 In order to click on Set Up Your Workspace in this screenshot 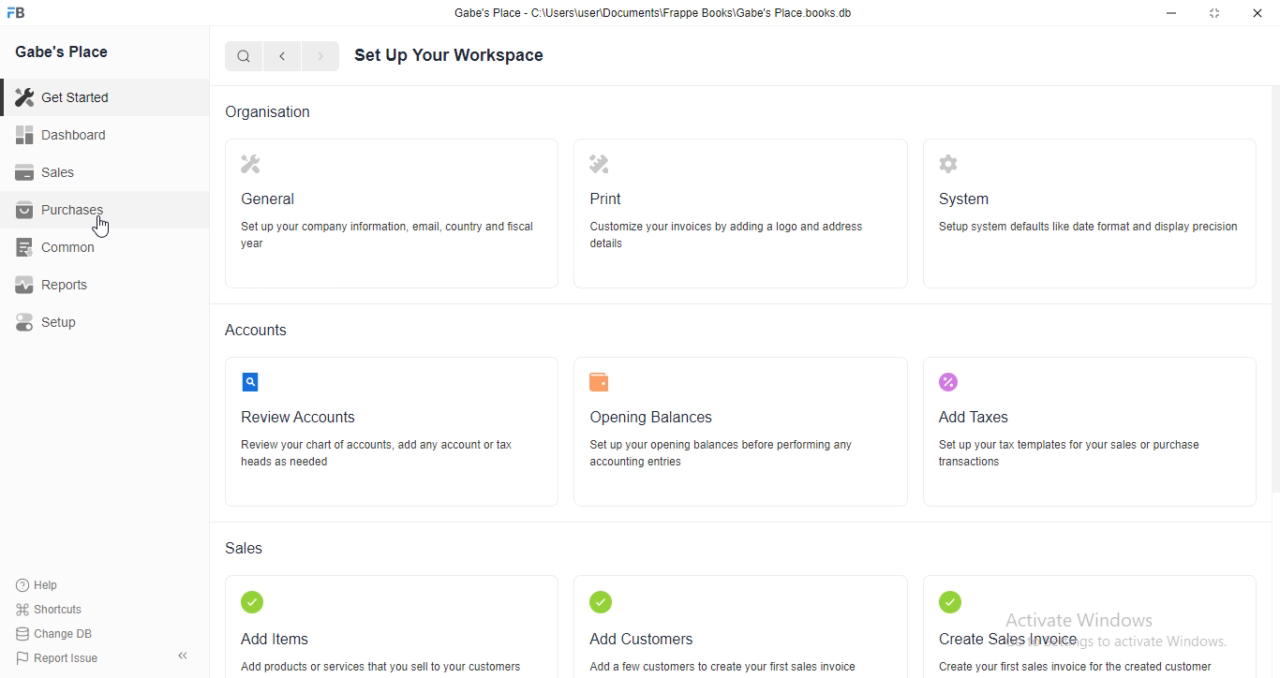, I will do `click(452, 54)`.